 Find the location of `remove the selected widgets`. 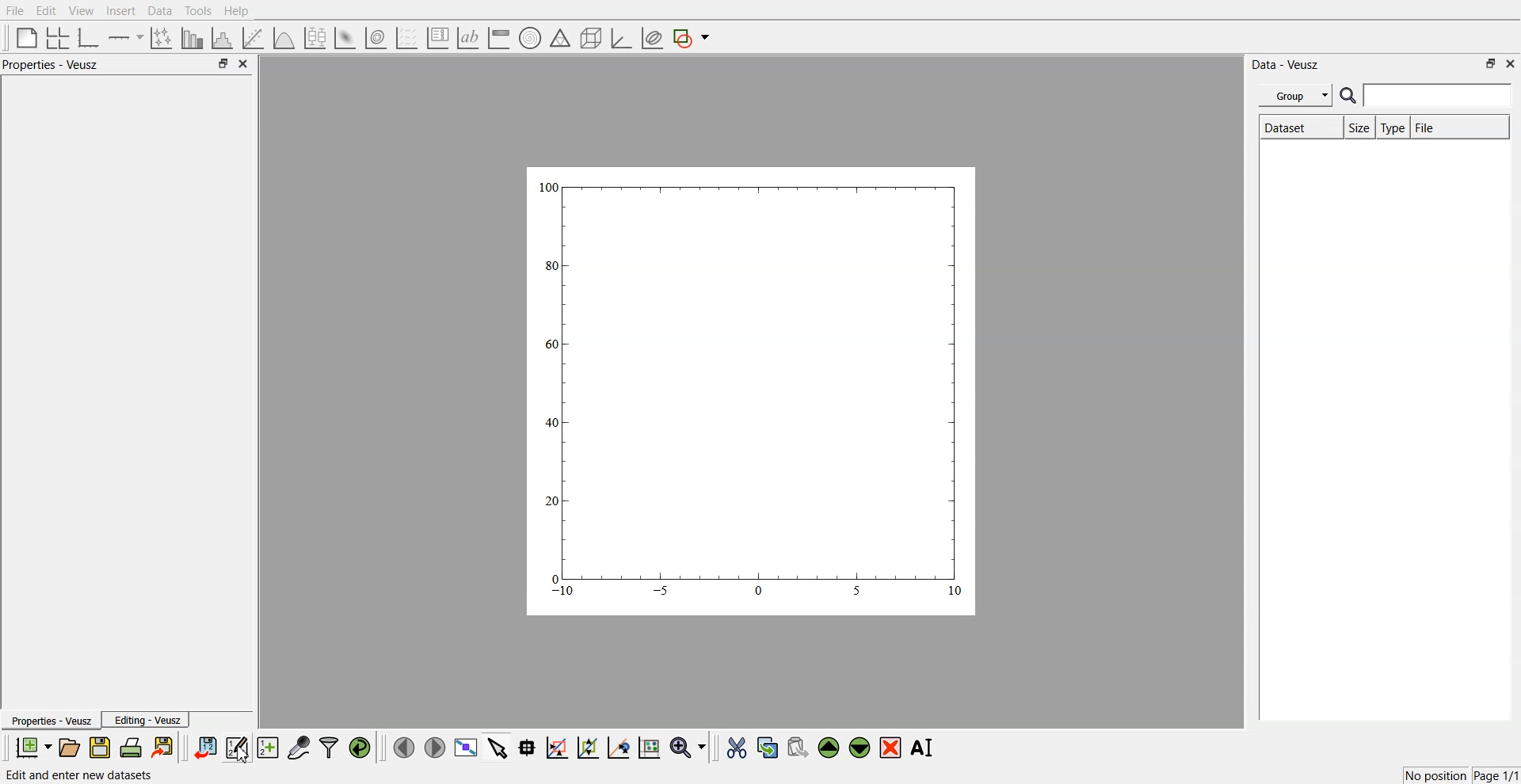

remove the selected widgets is located at coordinates (892, 748).